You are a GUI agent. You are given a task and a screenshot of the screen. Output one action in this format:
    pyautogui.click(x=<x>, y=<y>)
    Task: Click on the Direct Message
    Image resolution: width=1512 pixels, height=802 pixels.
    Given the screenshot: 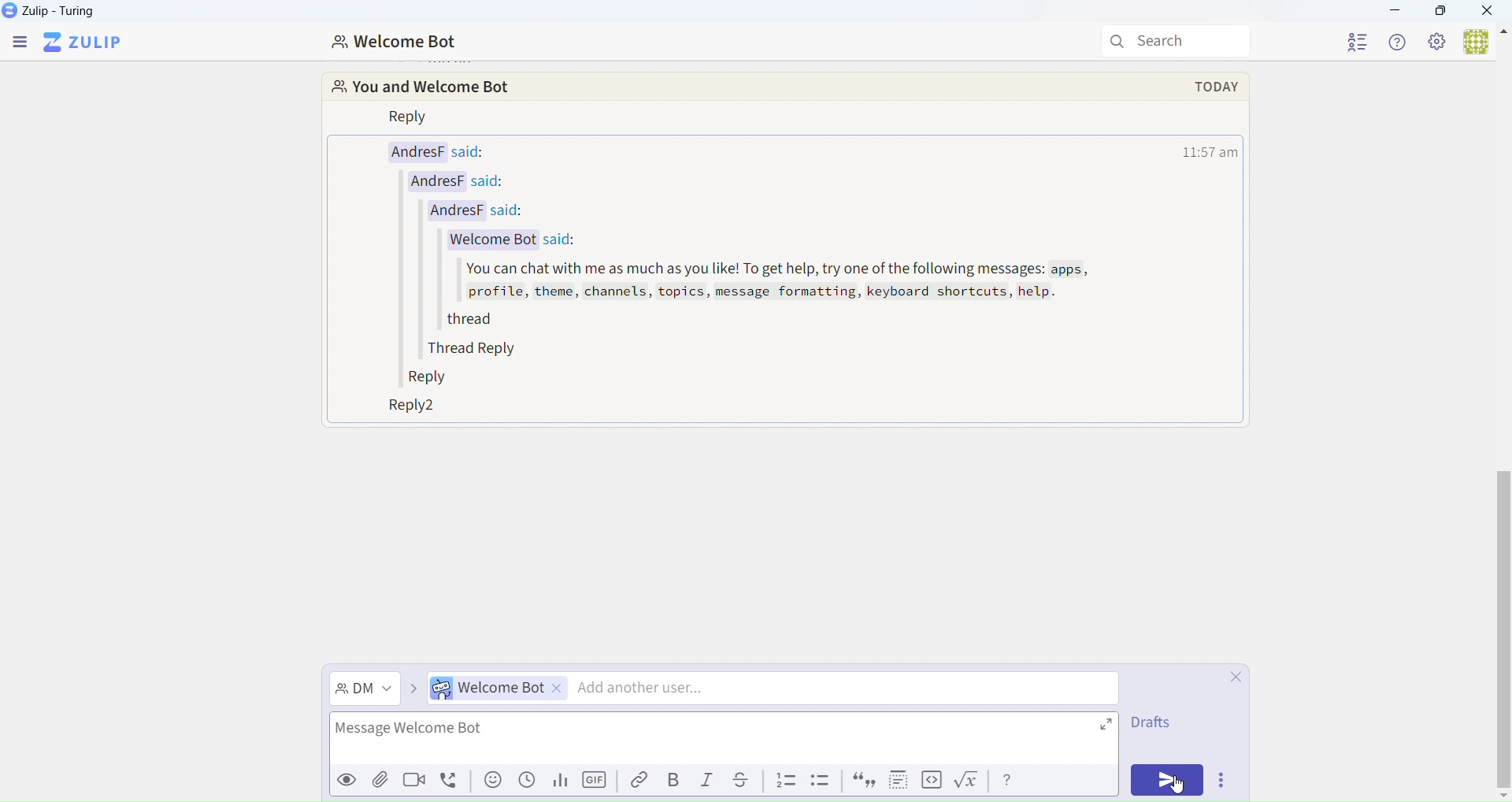 What is the action you would take?
    pyautogui.click(x=770, y=689)
    